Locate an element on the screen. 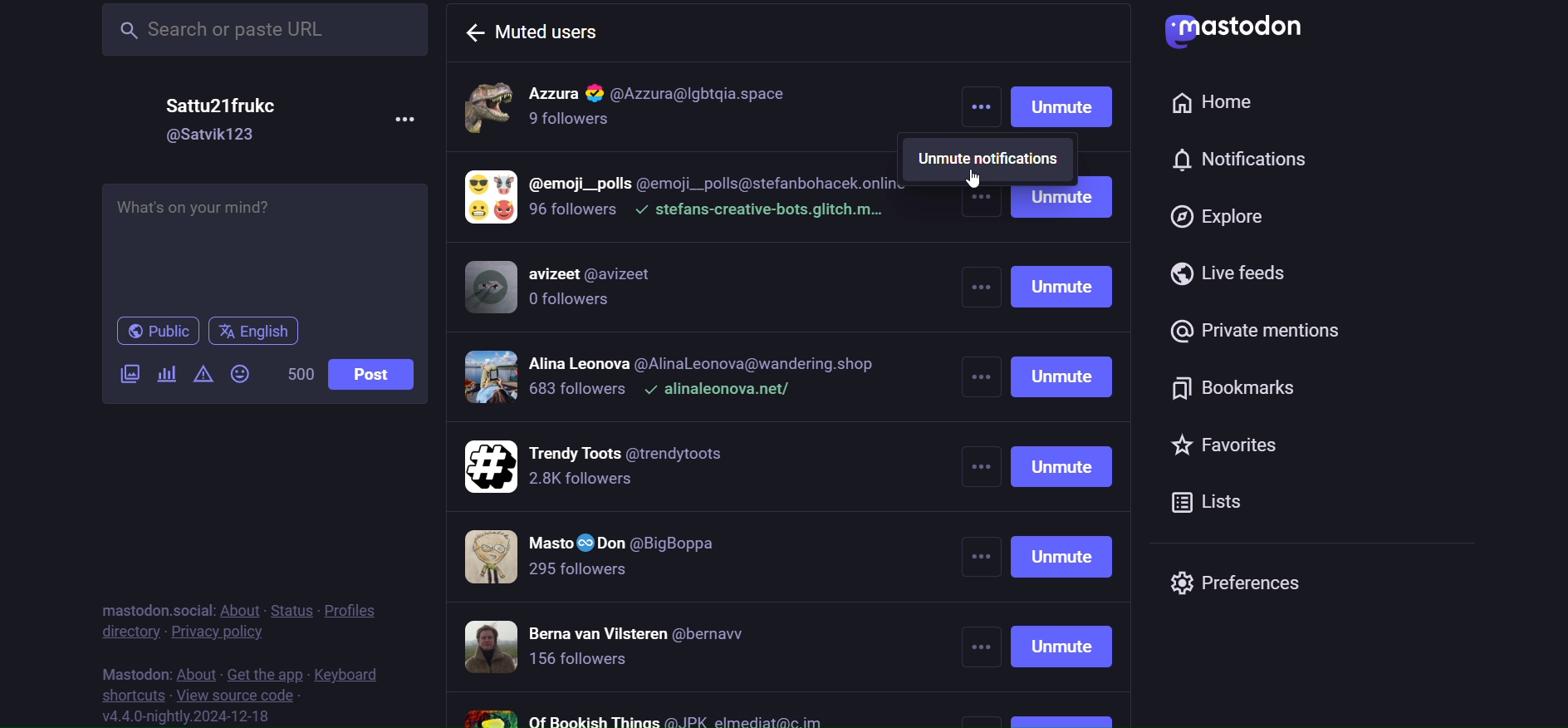 This screenshot has width=1568, height=728. mastodon social is located at coordinates (153, 610).